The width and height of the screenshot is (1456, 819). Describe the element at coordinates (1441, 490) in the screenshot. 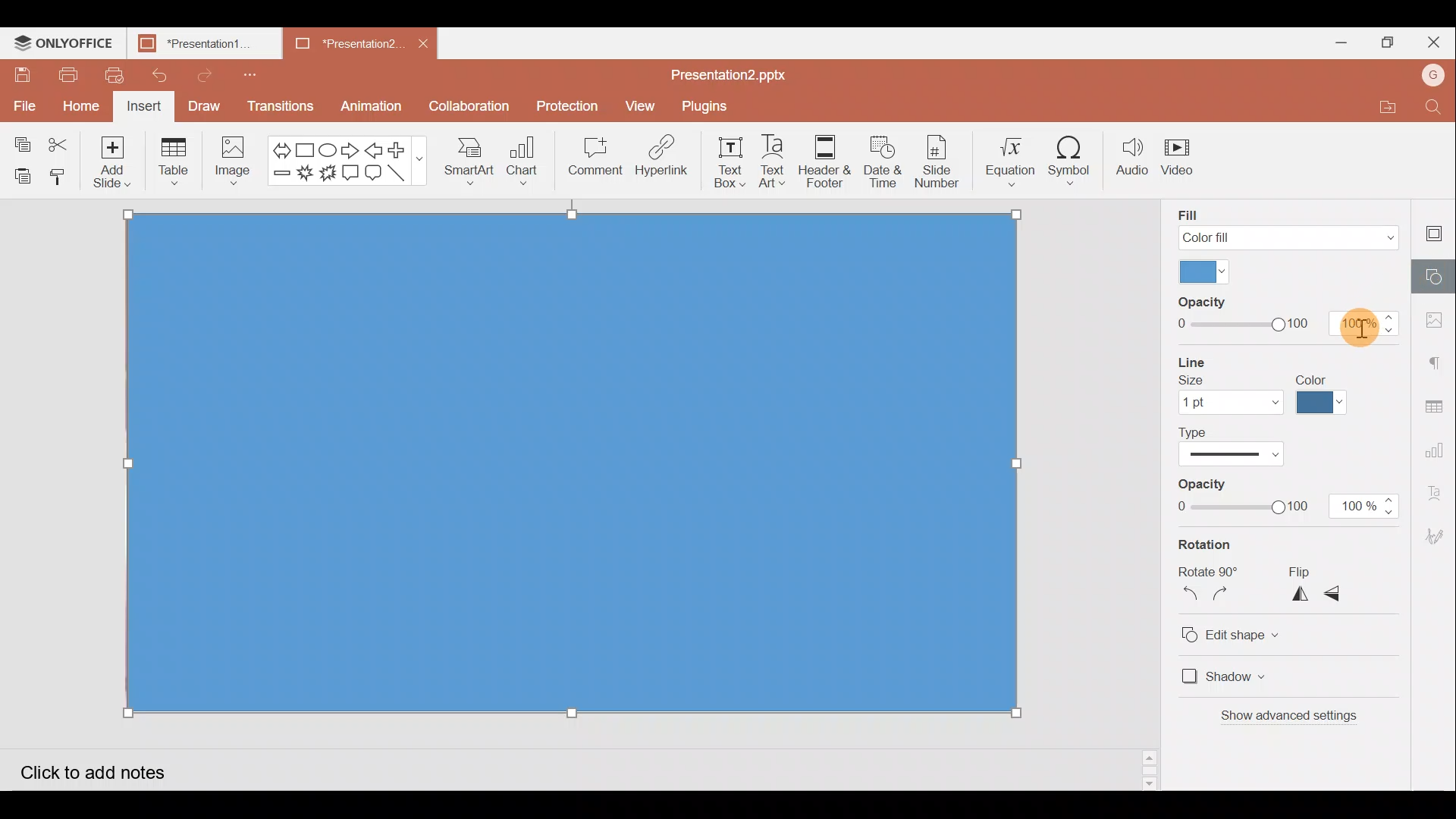

I see `Text Art settings` at that location.